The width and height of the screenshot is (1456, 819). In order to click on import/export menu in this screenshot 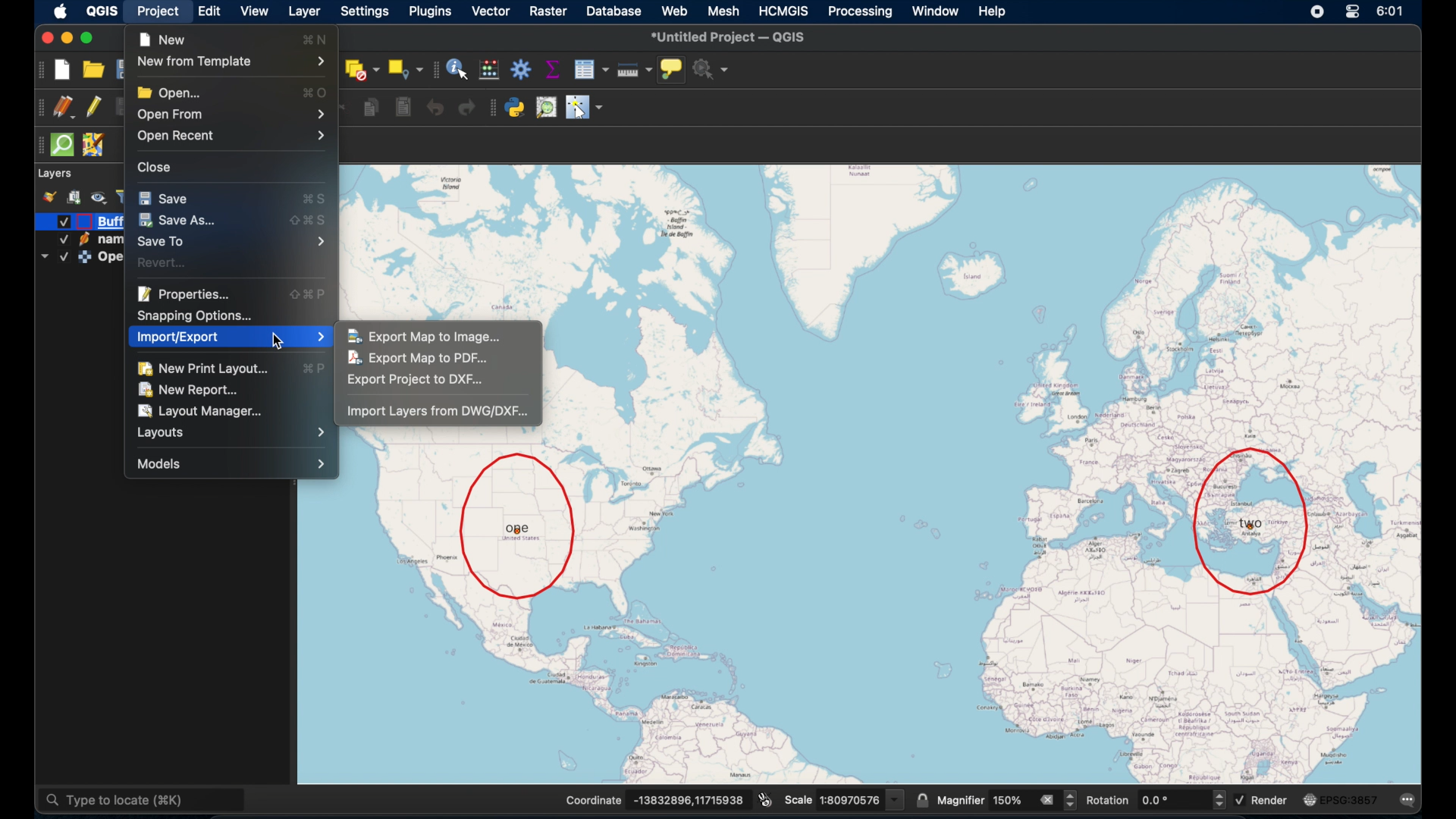, I will do `click(231, 338)`.